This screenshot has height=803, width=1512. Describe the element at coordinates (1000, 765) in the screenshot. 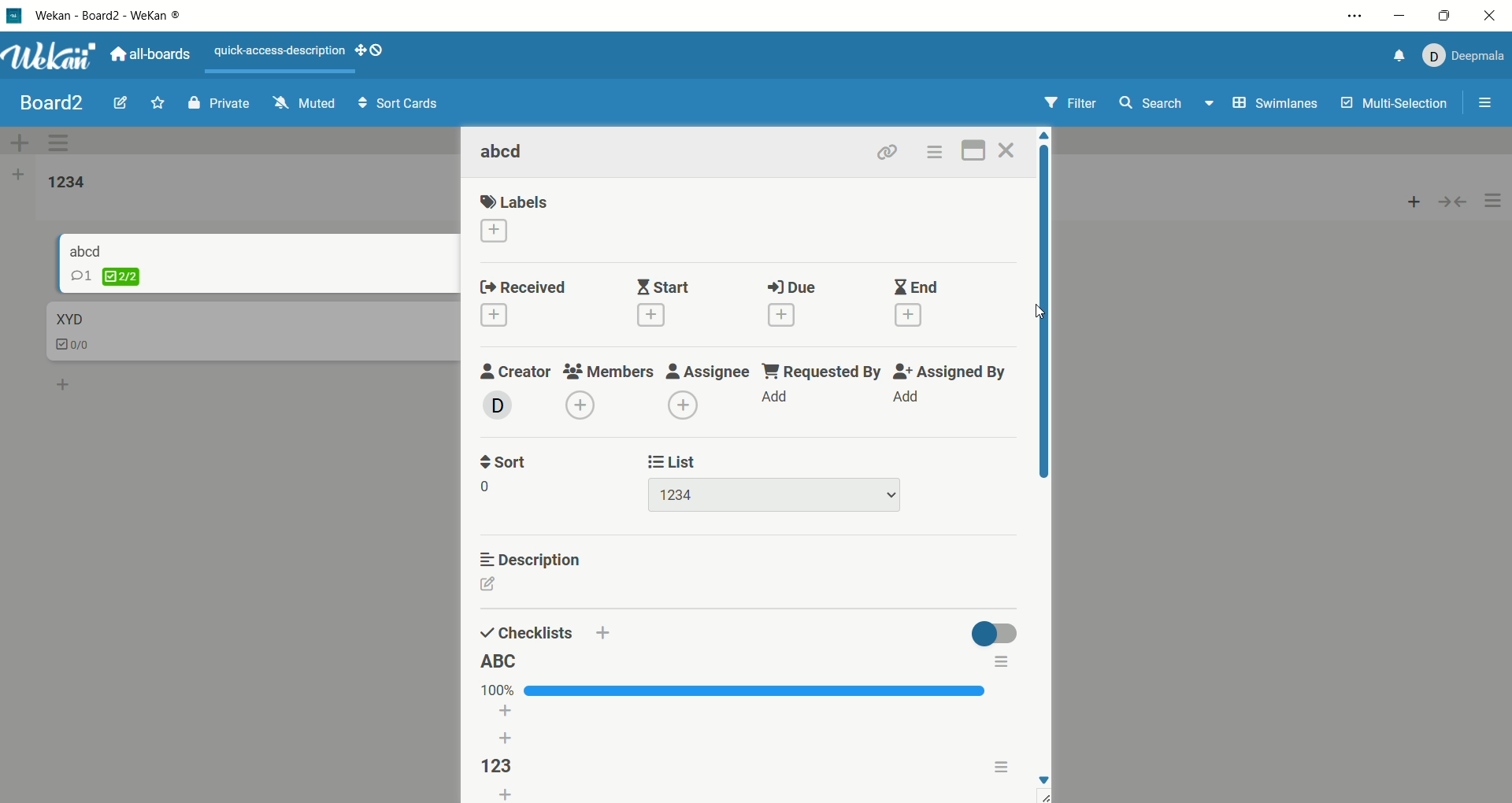

I see `options` at that location.